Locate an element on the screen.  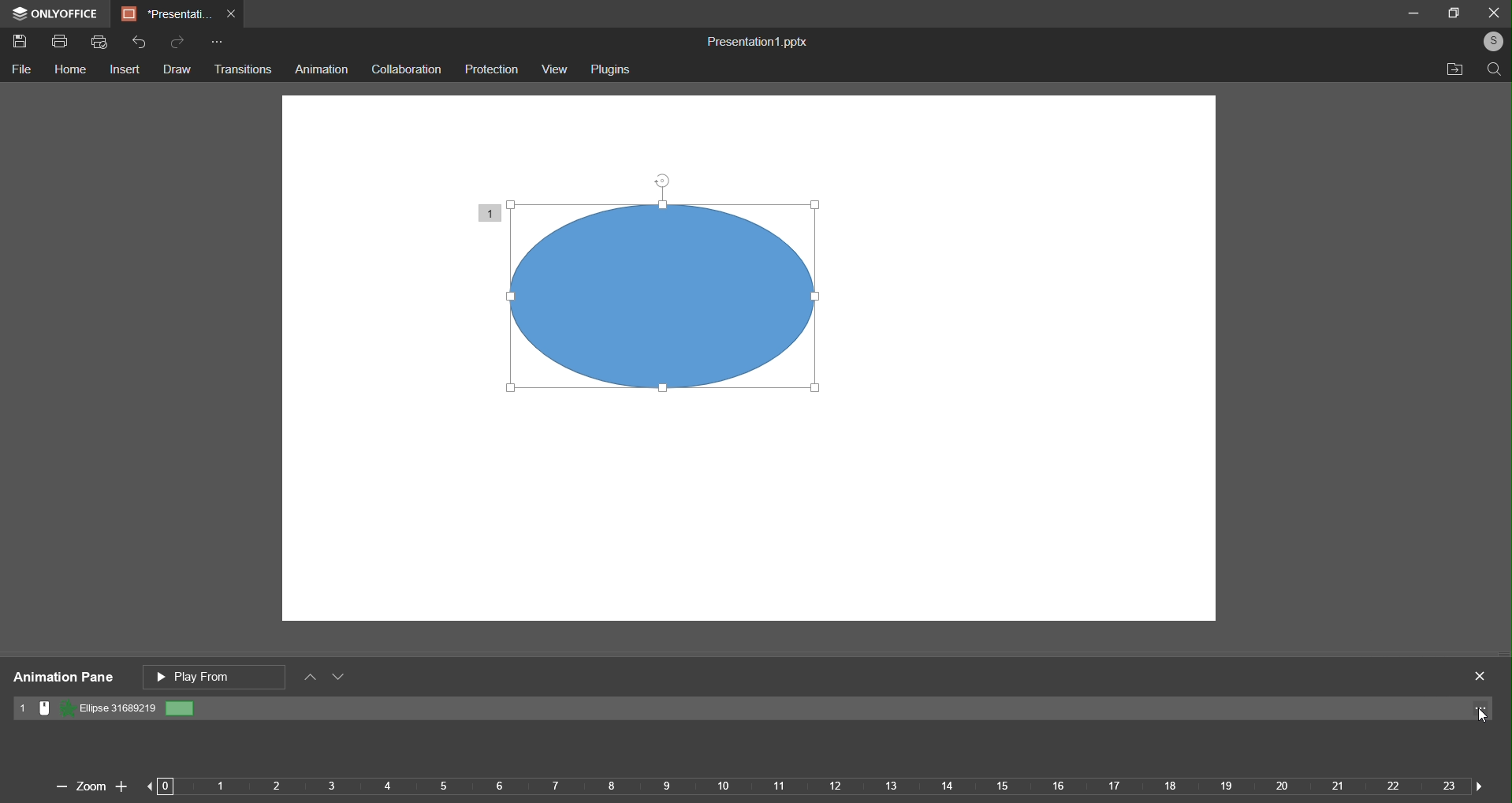
view is located at coordinates (553, 69).